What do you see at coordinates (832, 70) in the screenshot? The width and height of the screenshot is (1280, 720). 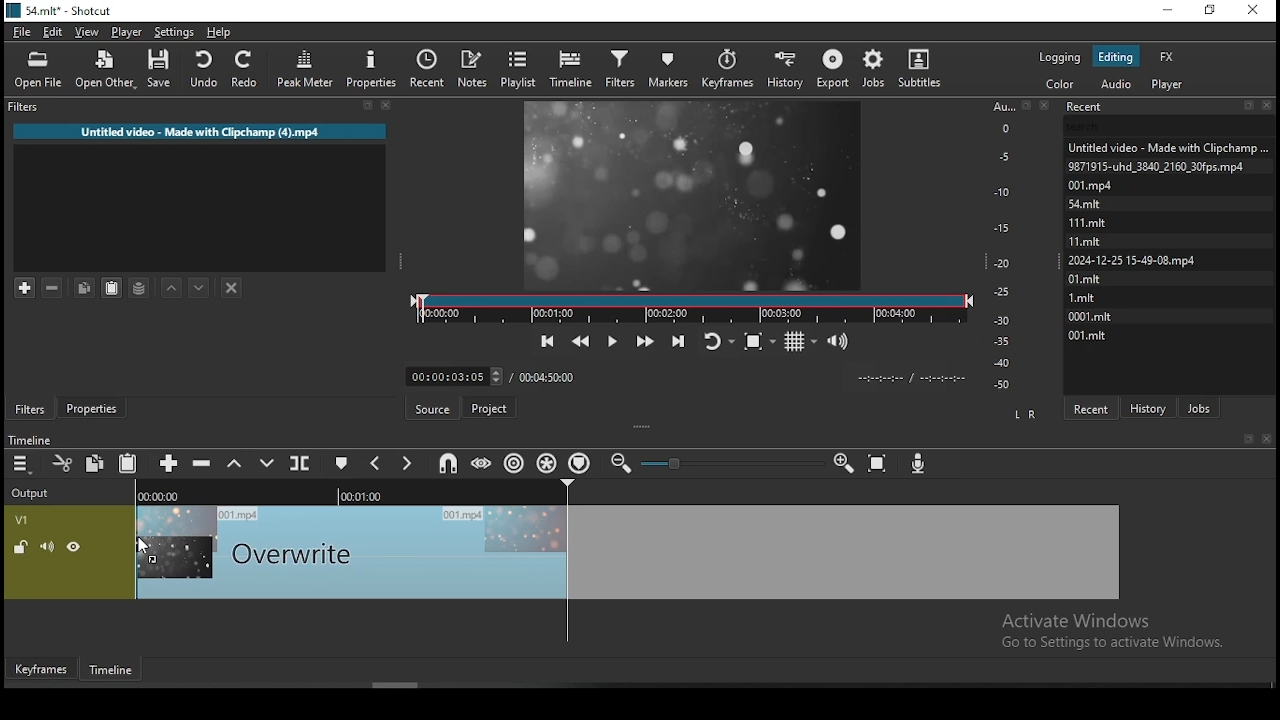 I see `export` at bounding box center [832, 70].